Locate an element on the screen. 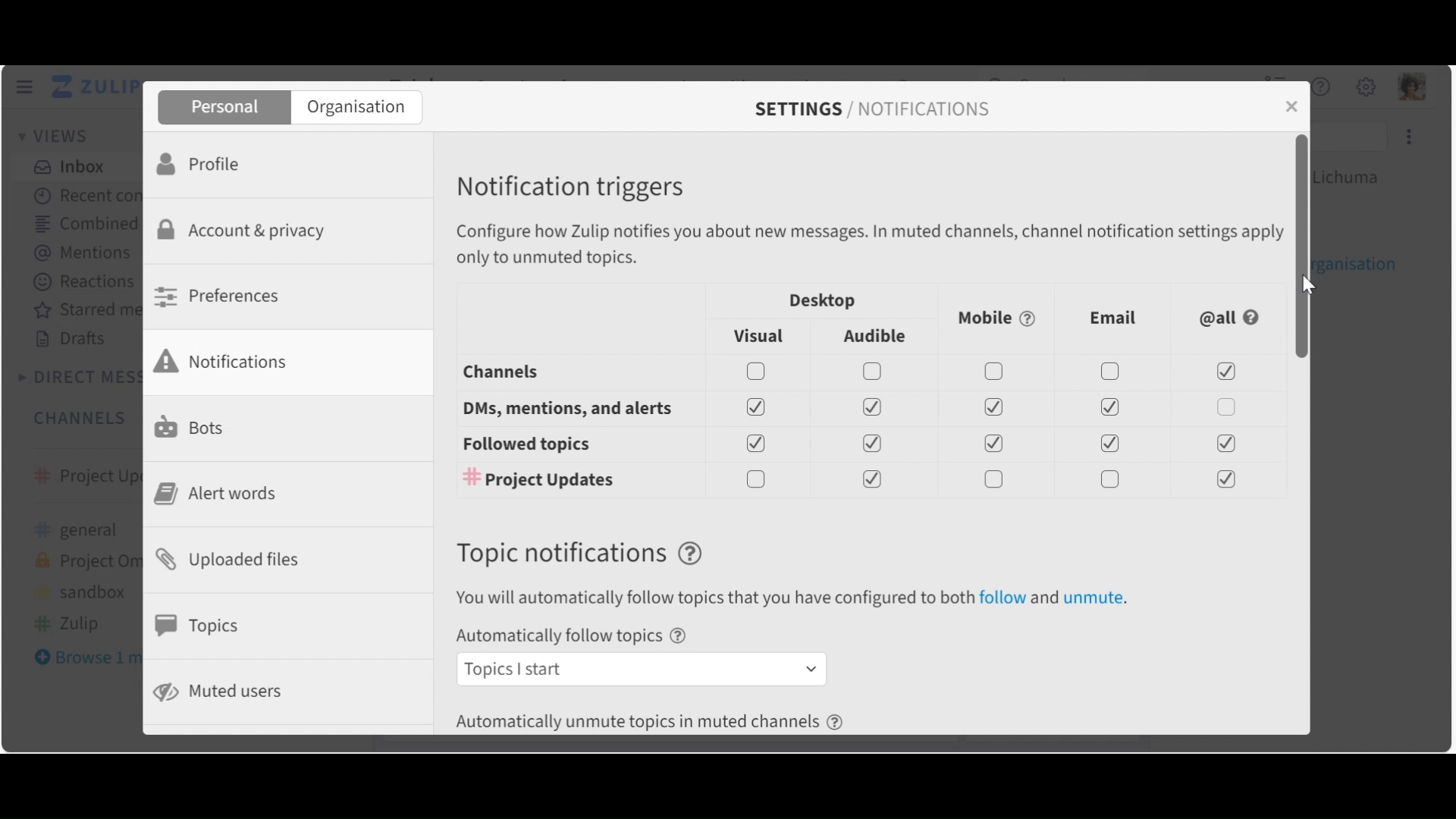 The height and width of the screenshot is (819, 1456). Vertical scroll bar is located at coordinates (1299, 247).